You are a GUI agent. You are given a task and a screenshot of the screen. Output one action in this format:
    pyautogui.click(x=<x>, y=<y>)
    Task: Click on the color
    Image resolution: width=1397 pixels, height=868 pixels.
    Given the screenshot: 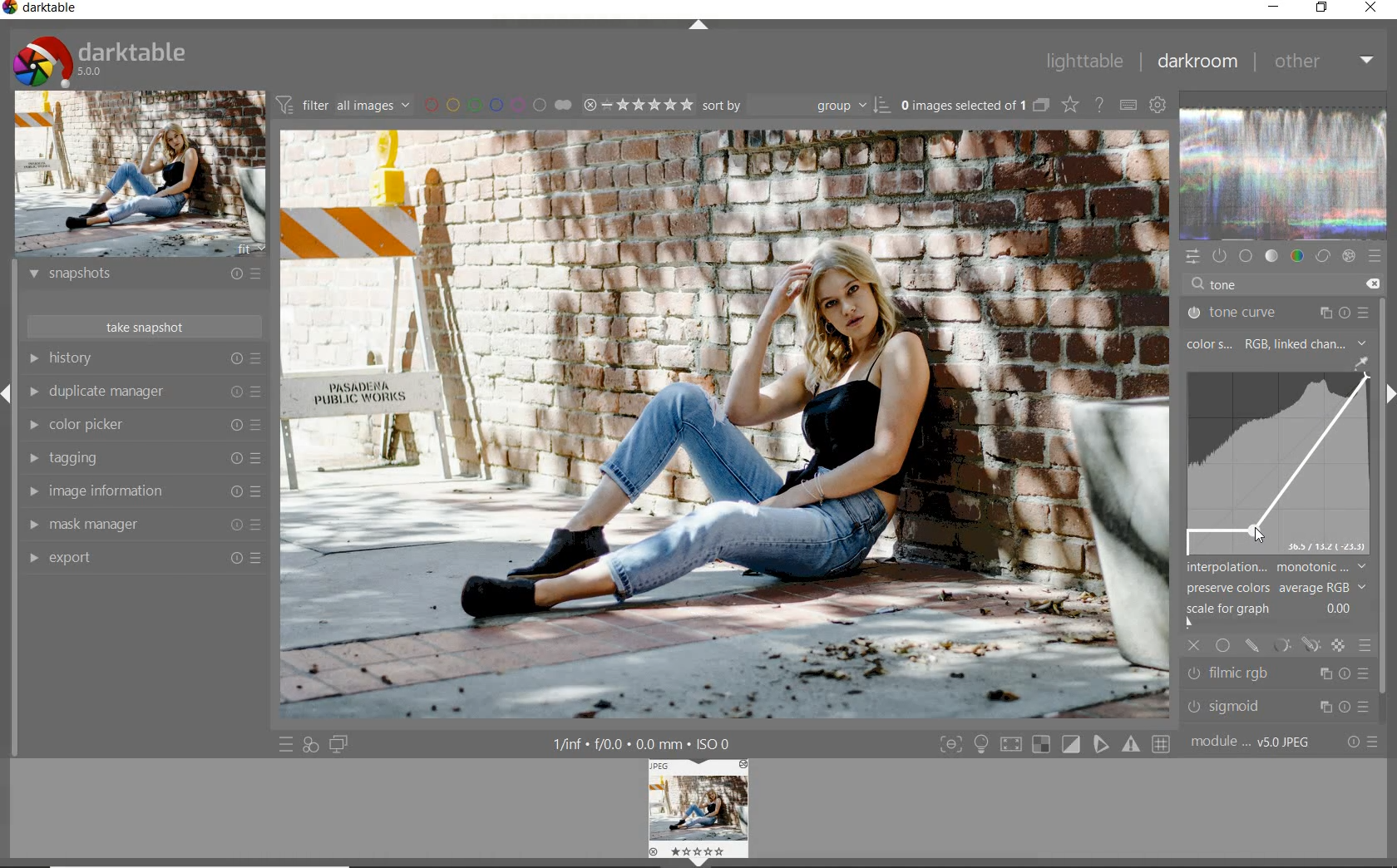 What is the action you would take?
    pyautogui.click(x=1296, y=257)
    